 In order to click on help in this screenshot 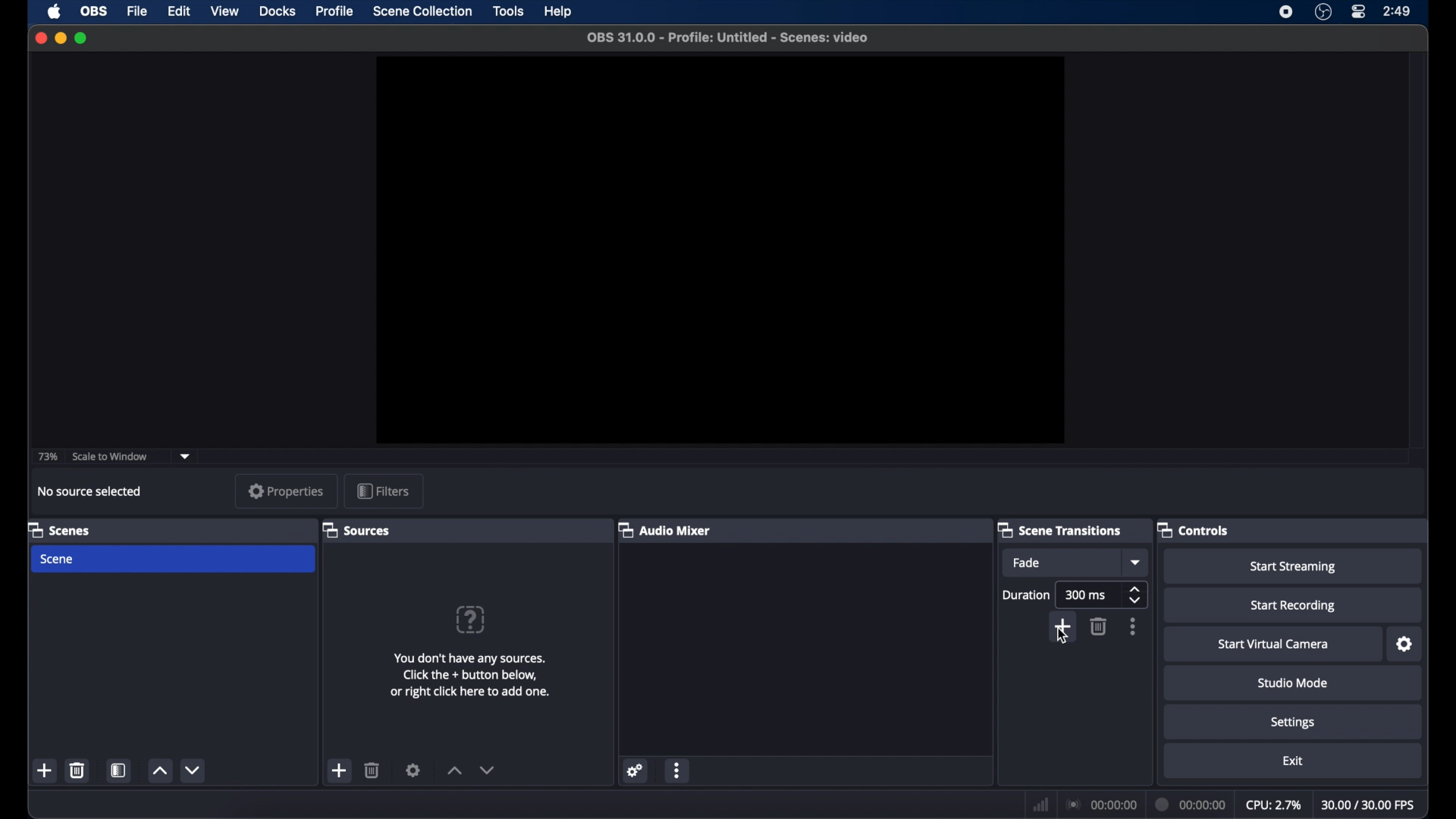, I will do `click(560, 11)`.